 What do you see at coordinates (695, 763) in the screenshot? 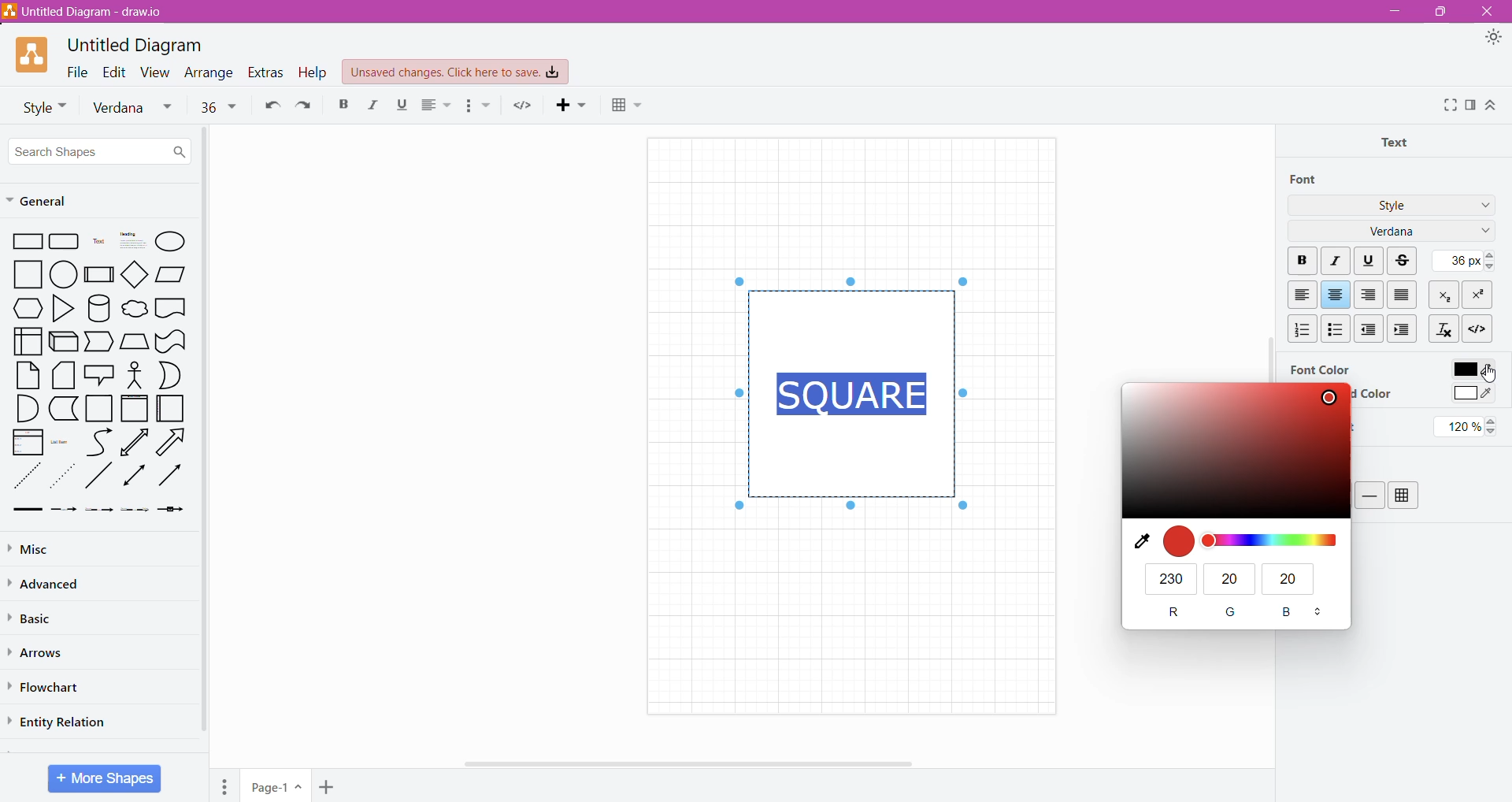
I see `Horizontal Scroll Bar` at bounding box center [695, 763].